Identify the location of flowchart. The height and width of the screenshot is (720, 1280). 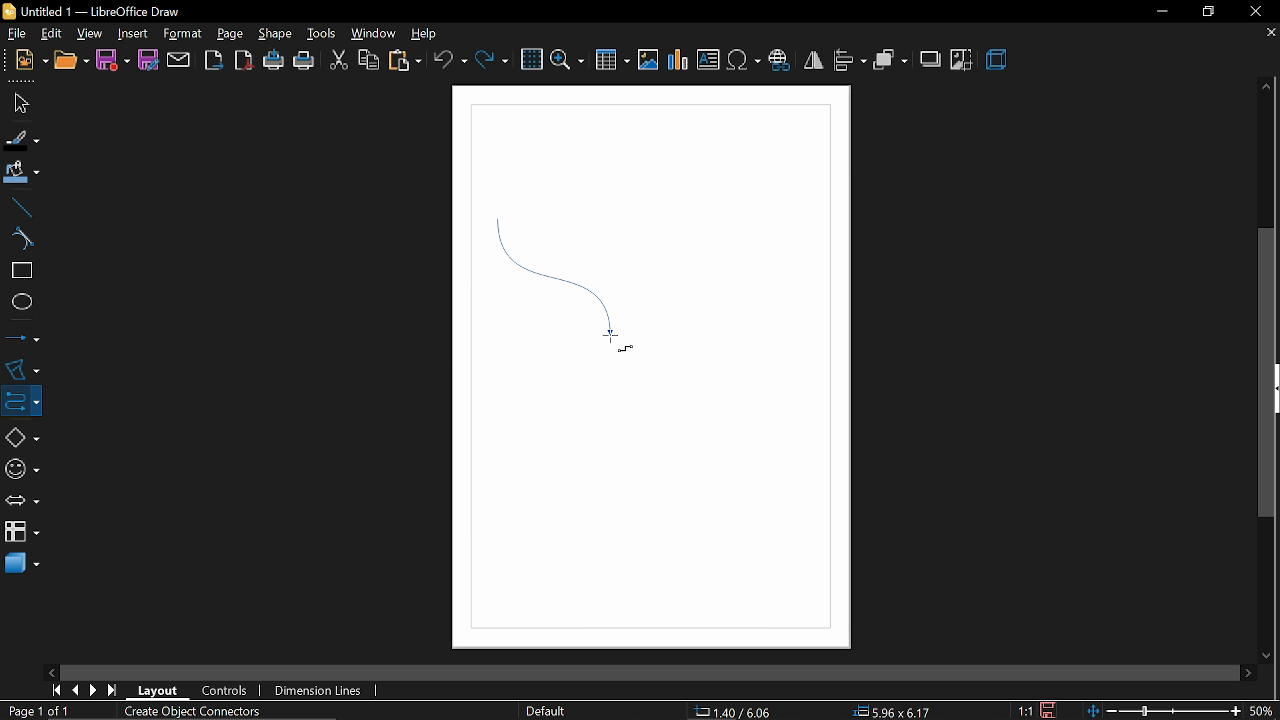
(22, 533).